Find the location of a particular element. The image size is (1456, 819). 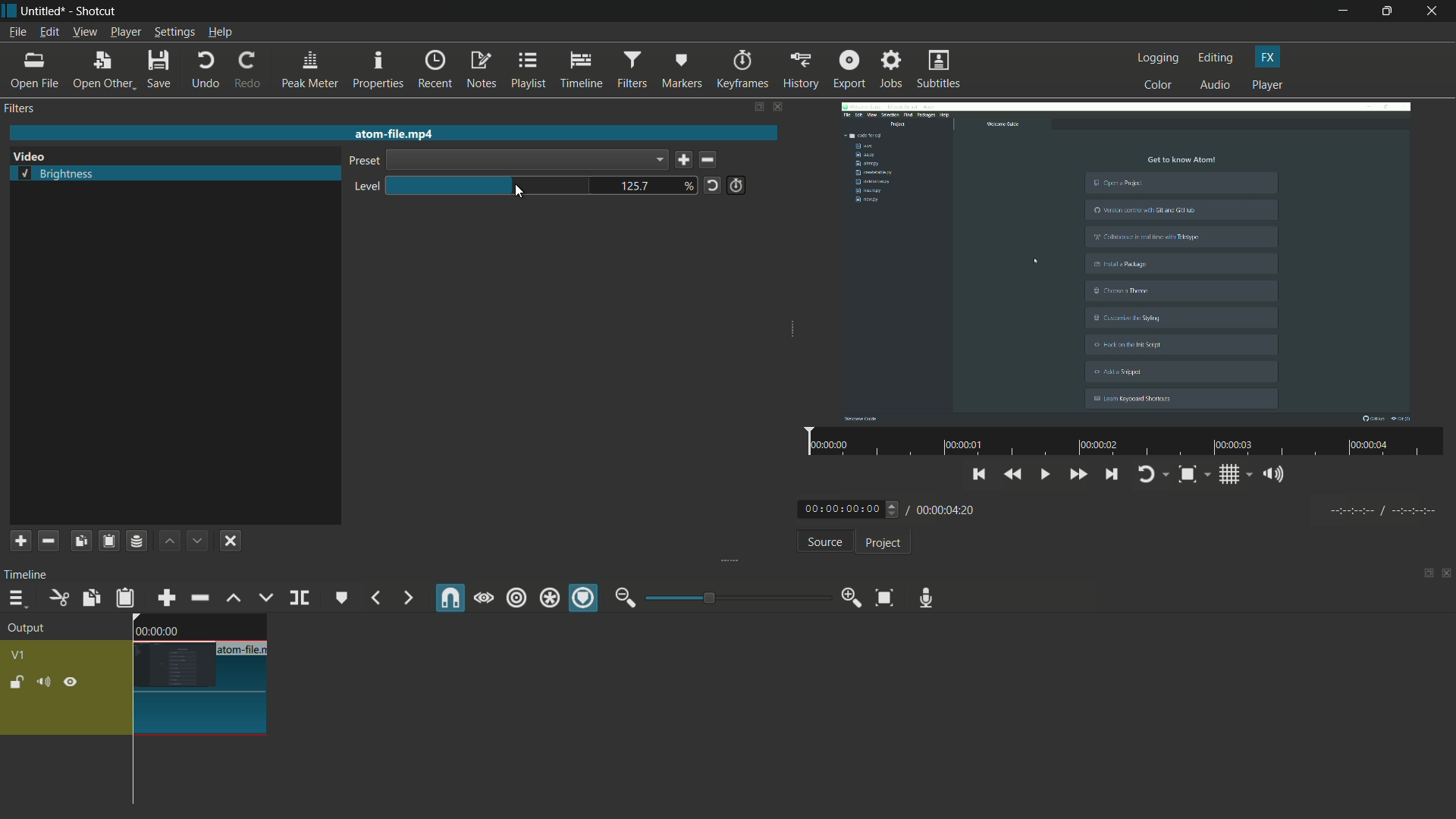

toggle grid system is located at coordinates (1237, 477).